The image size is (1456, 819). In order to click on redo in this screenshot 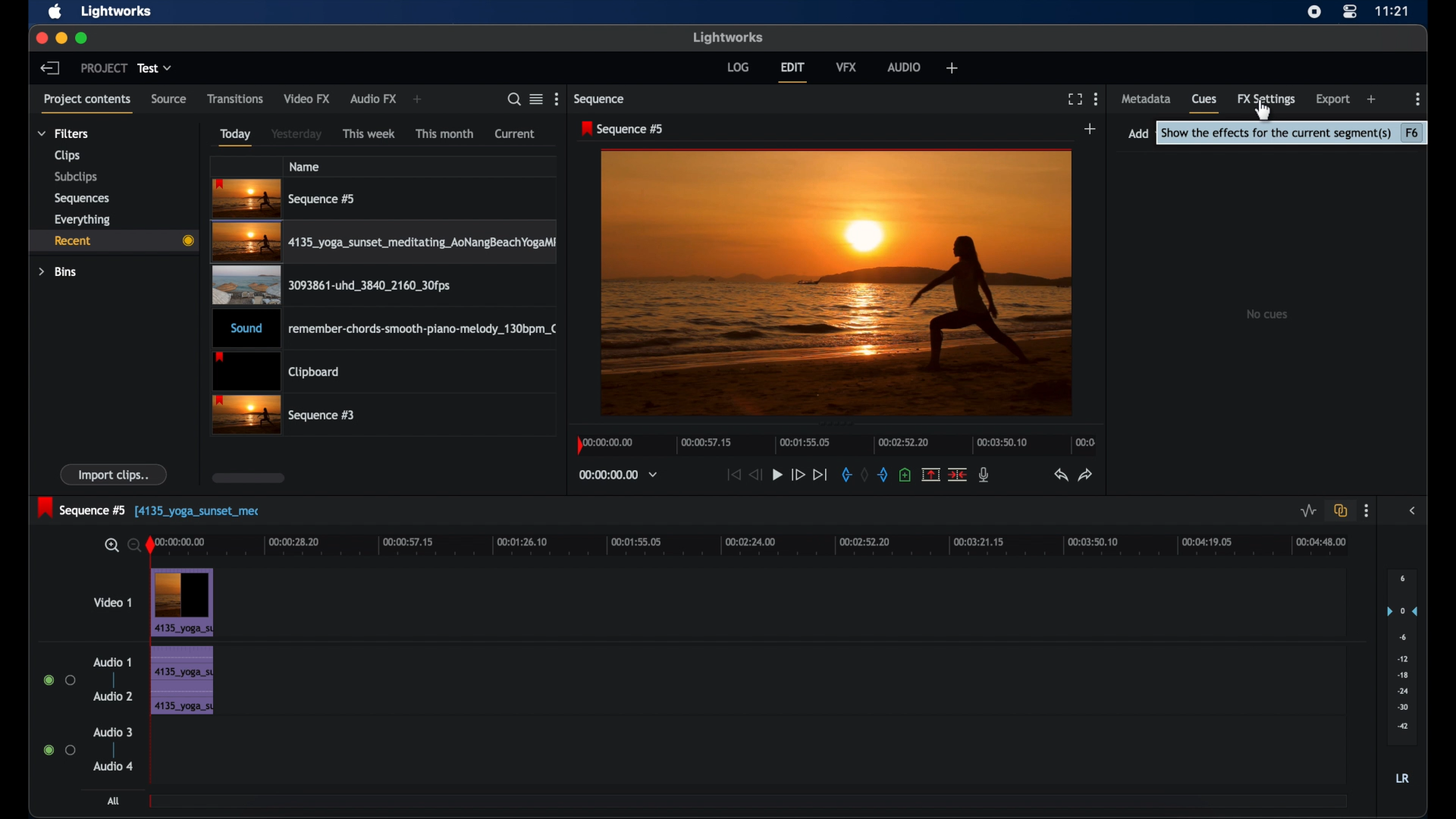, I will do `click(1087, 475)`.